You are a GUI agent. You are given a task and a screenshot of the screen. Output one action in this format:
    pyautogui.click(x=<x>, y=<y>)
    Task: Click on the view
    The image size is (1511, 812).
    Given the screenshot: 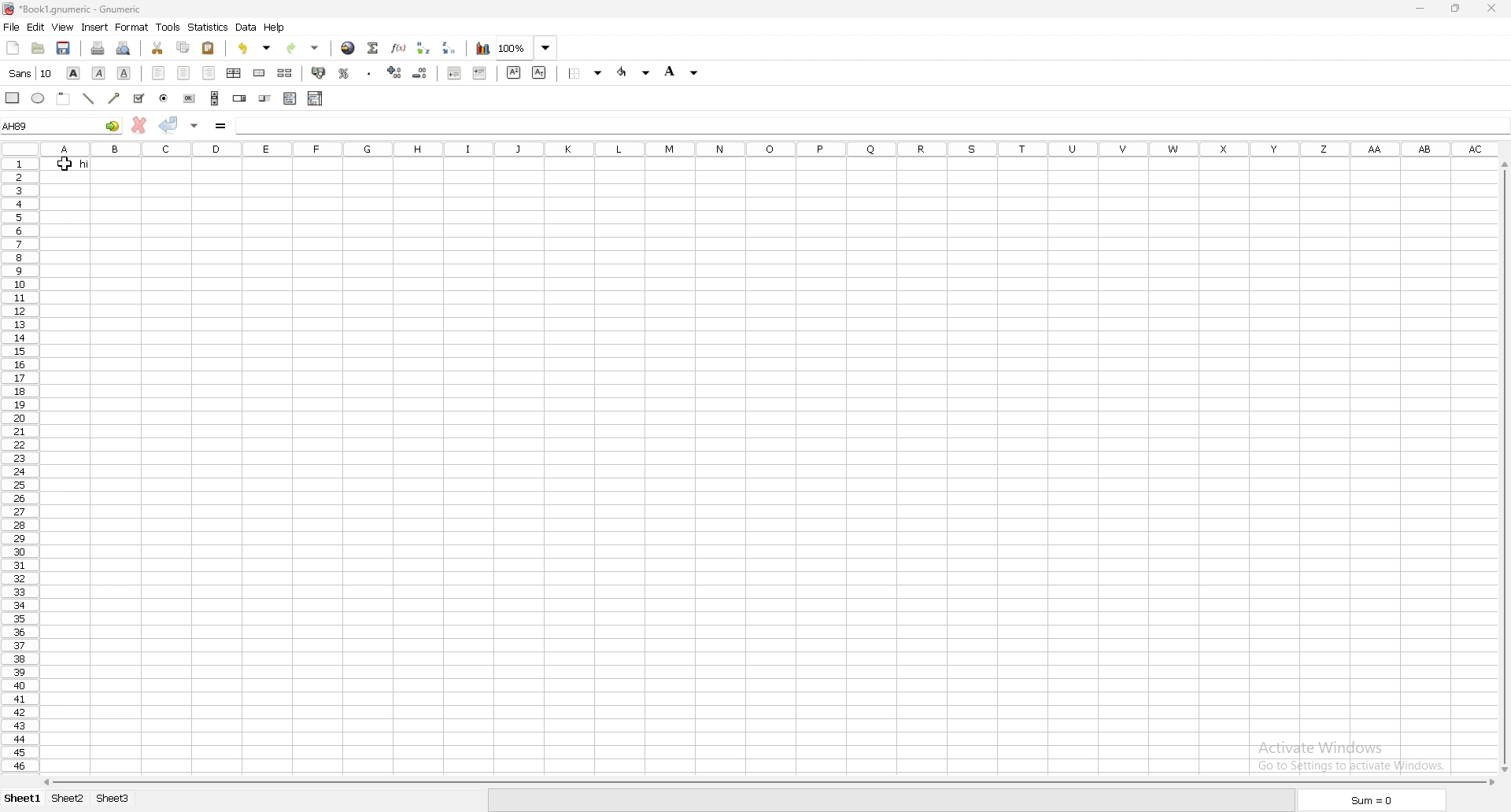 What is the action you would take?
    pyautogui.click(x=62, y=28)
    